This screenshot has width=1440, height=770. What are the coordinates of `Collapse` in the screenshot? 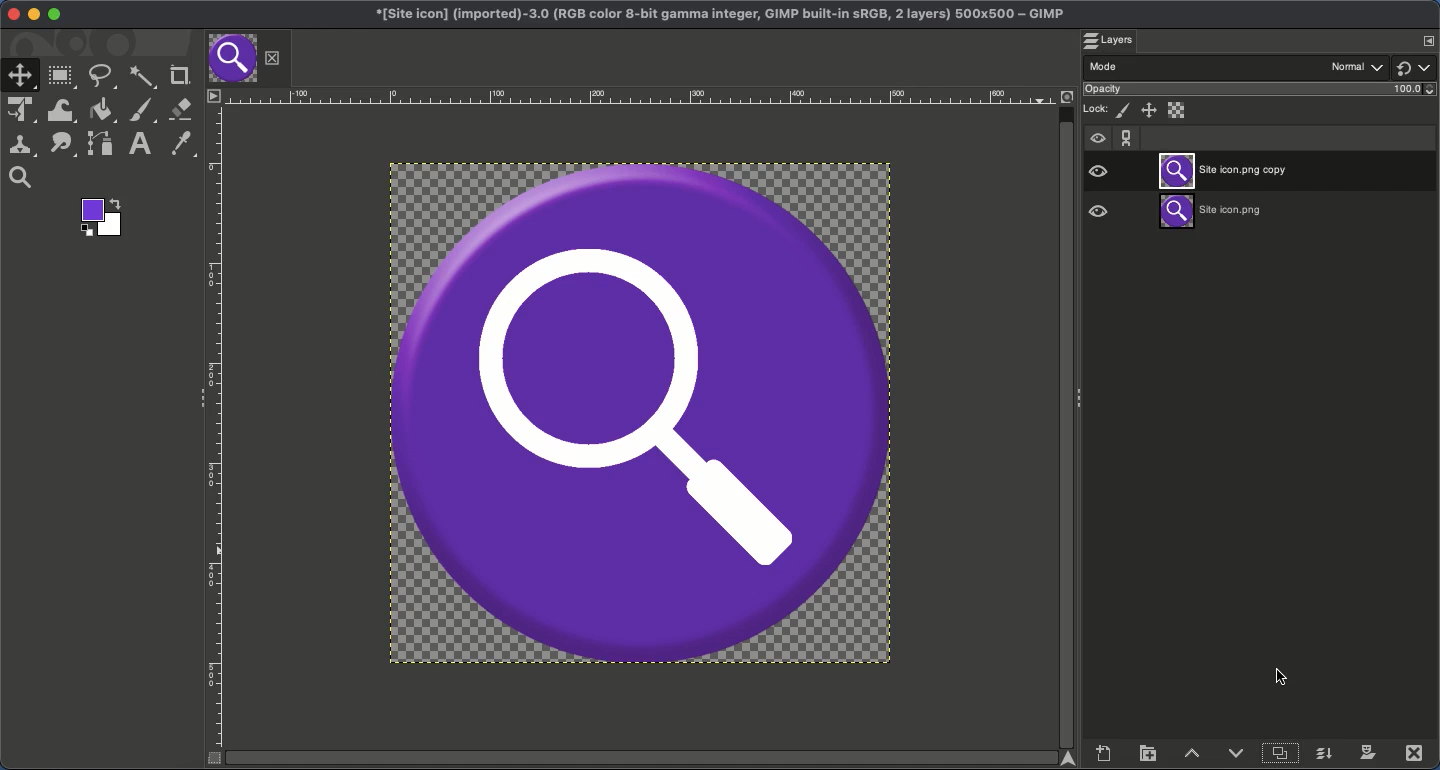 It's located at (1080, 399).